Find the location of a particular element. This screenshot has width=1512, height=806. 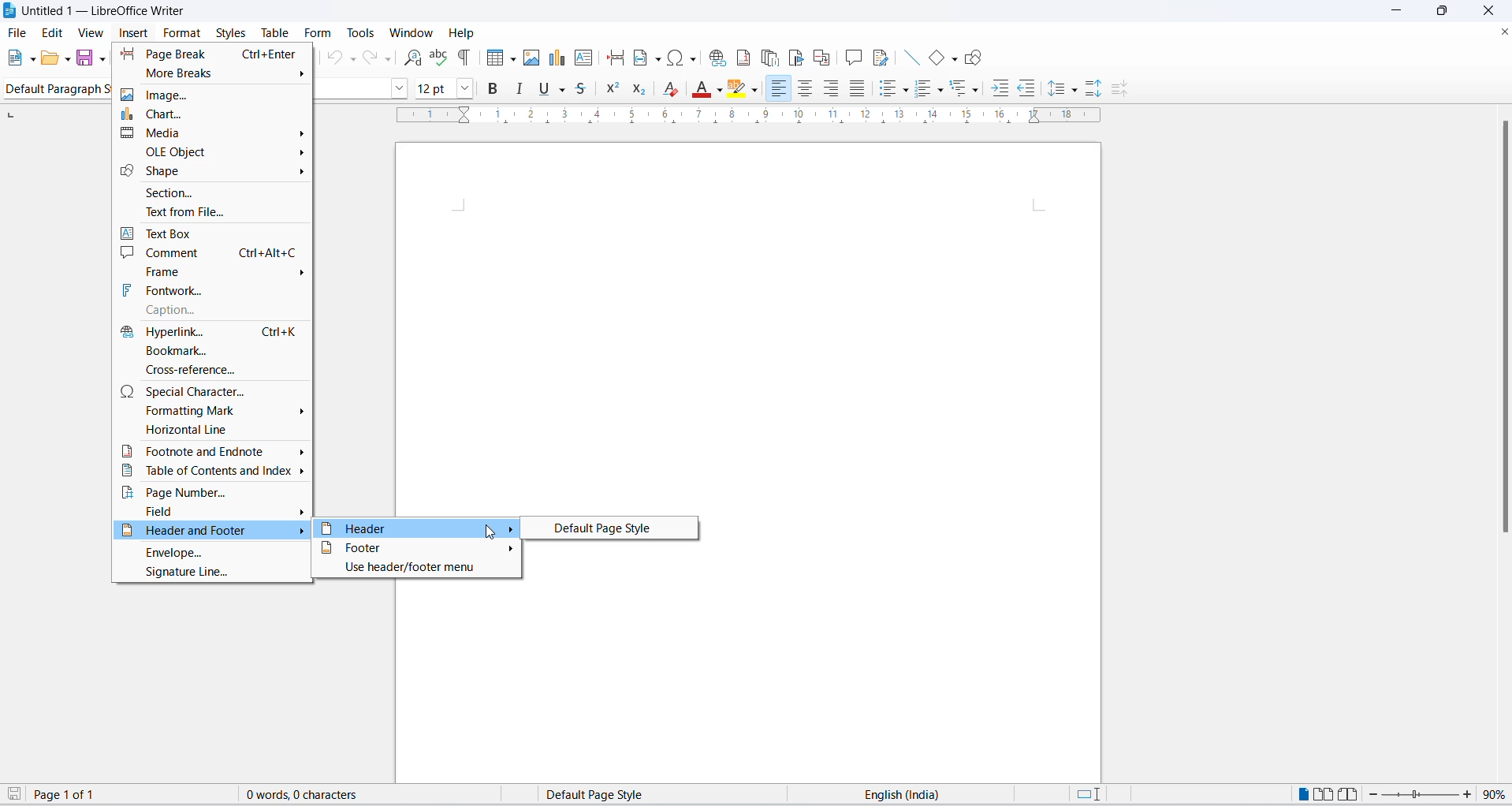

save is located at coordinates (86, 58).